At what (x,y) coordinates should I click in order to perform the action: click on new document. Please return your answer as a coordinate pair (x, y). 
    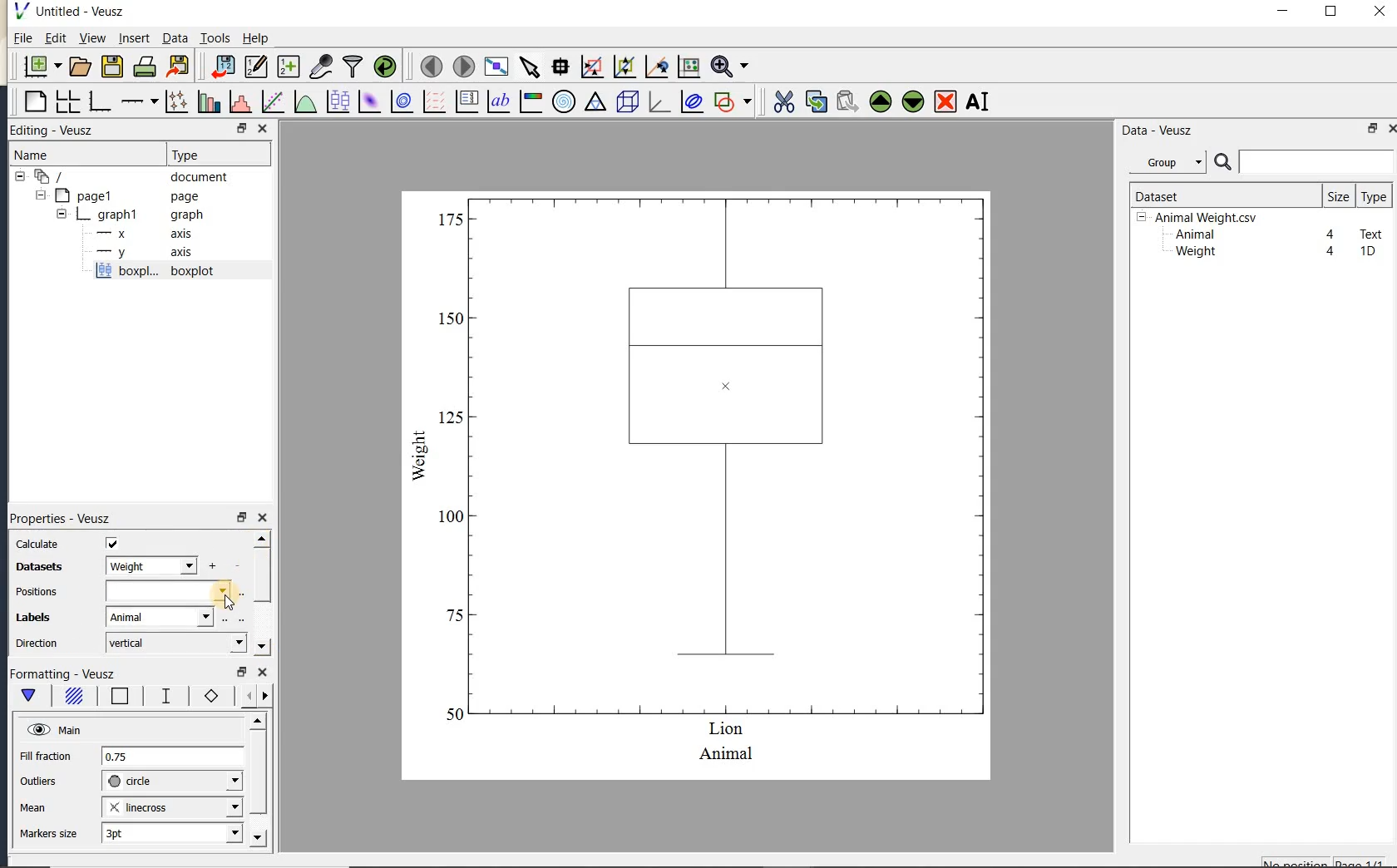
    Looking at the image, I should click on (38, 67).